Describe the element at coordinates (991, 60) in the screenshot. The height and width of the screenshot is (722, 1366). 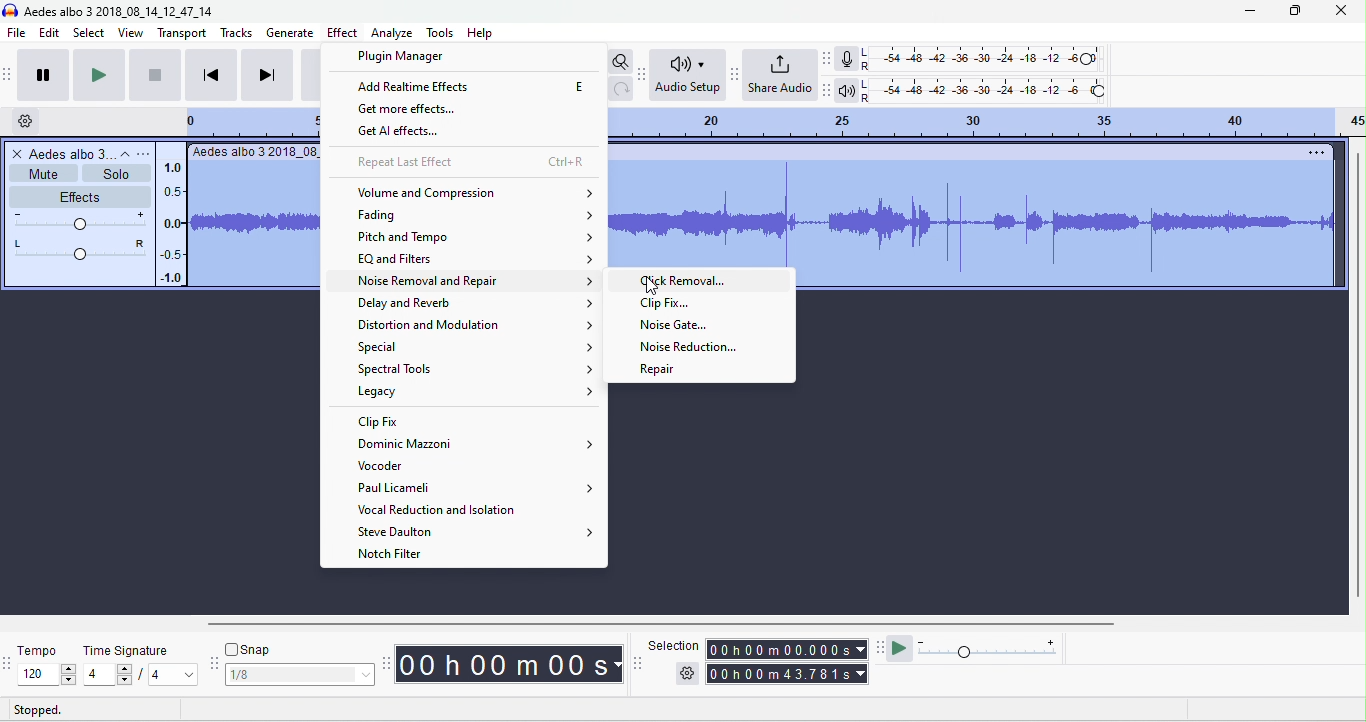
I see `recording level` at that location.